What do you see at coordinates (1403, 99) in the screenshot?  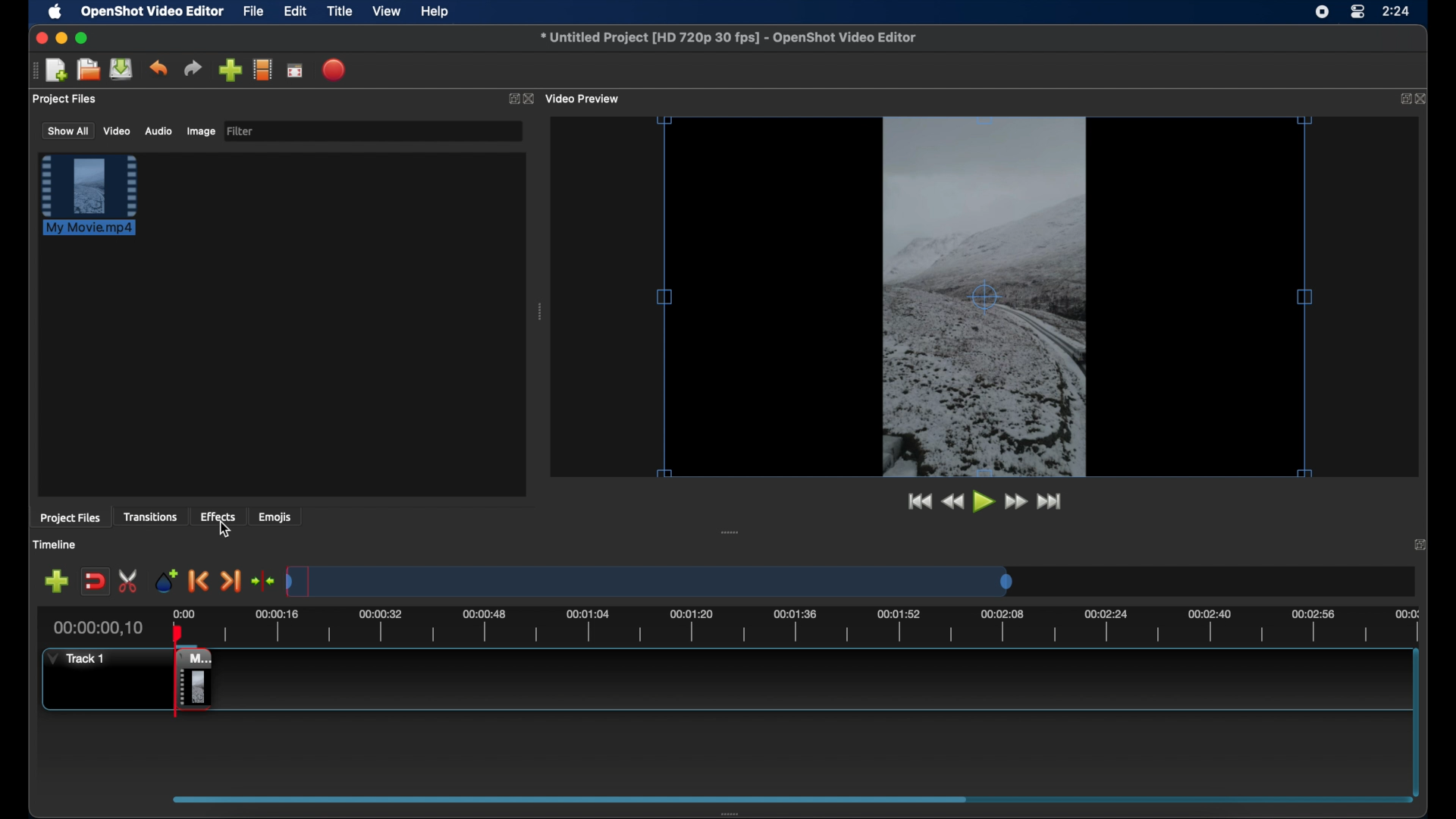 I see `expand` at bounding box center [1403, 99].